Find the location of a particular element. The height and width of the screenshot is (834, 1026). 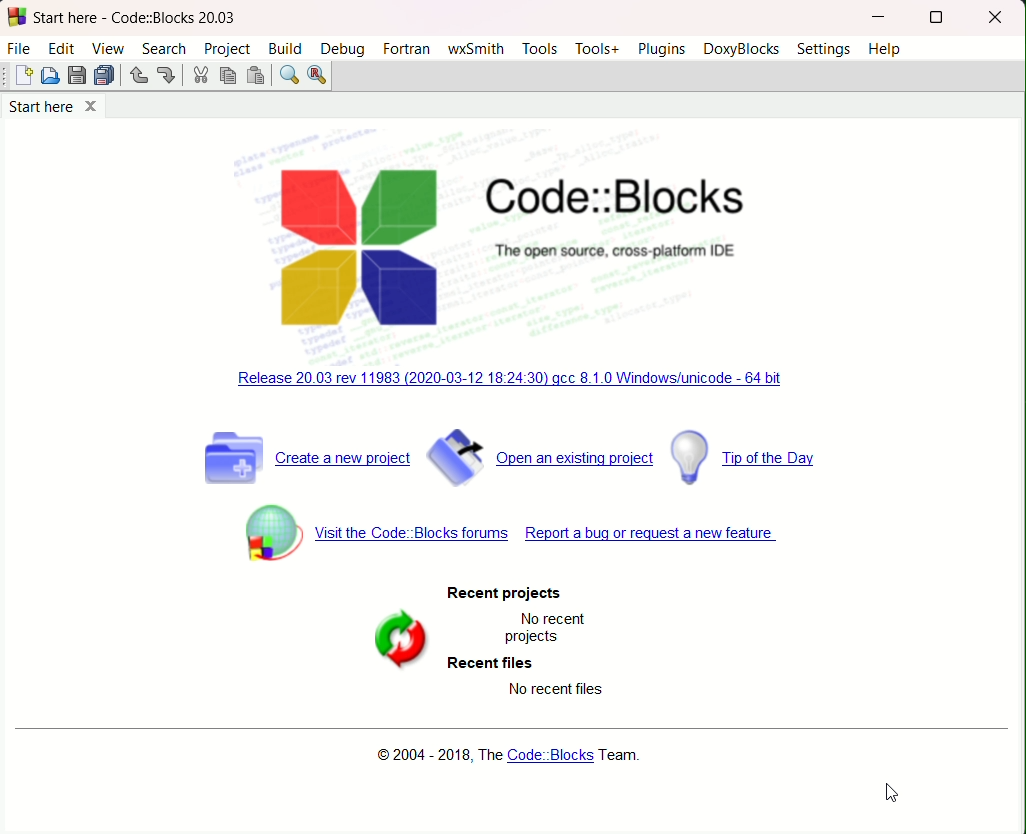

file is located at coordinates (20, 47).